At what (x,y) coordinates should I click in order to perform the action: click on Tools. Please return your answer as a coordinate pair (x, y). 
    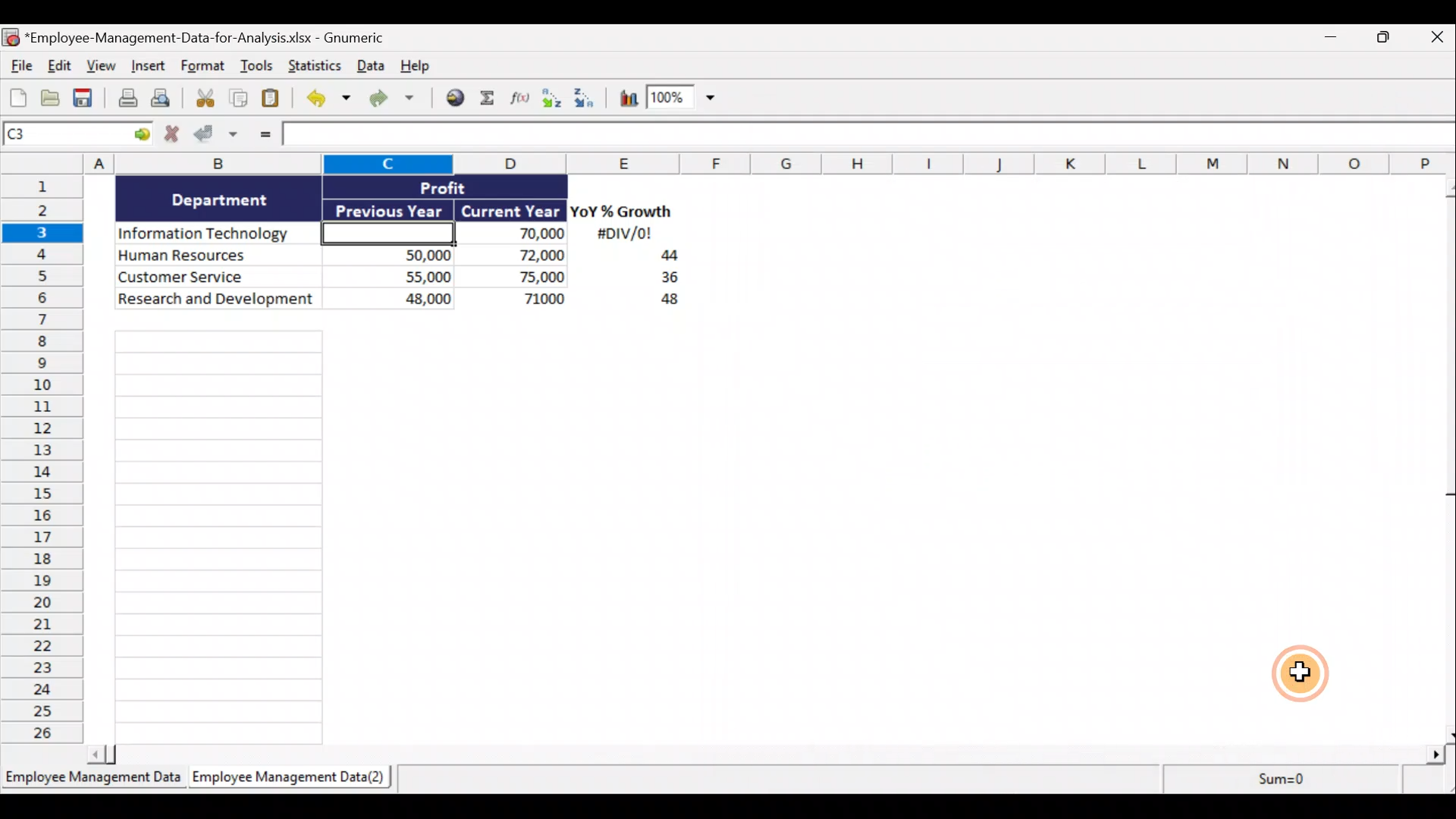
    Looking at the image, I should click on (257, 67).